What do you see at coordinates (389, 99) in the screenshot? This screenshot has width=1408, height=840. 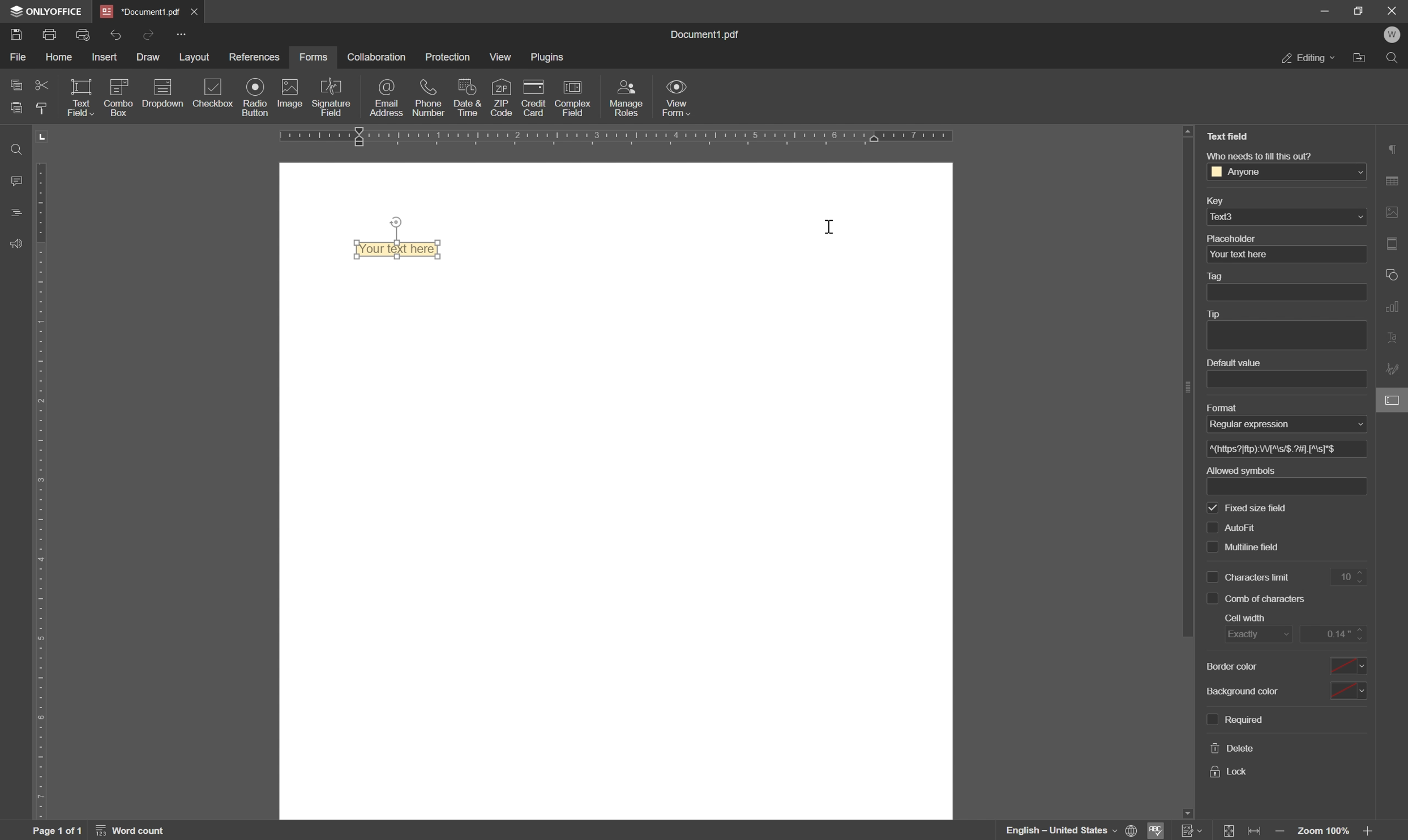 I see `email address` at bounding box center [389, 99].